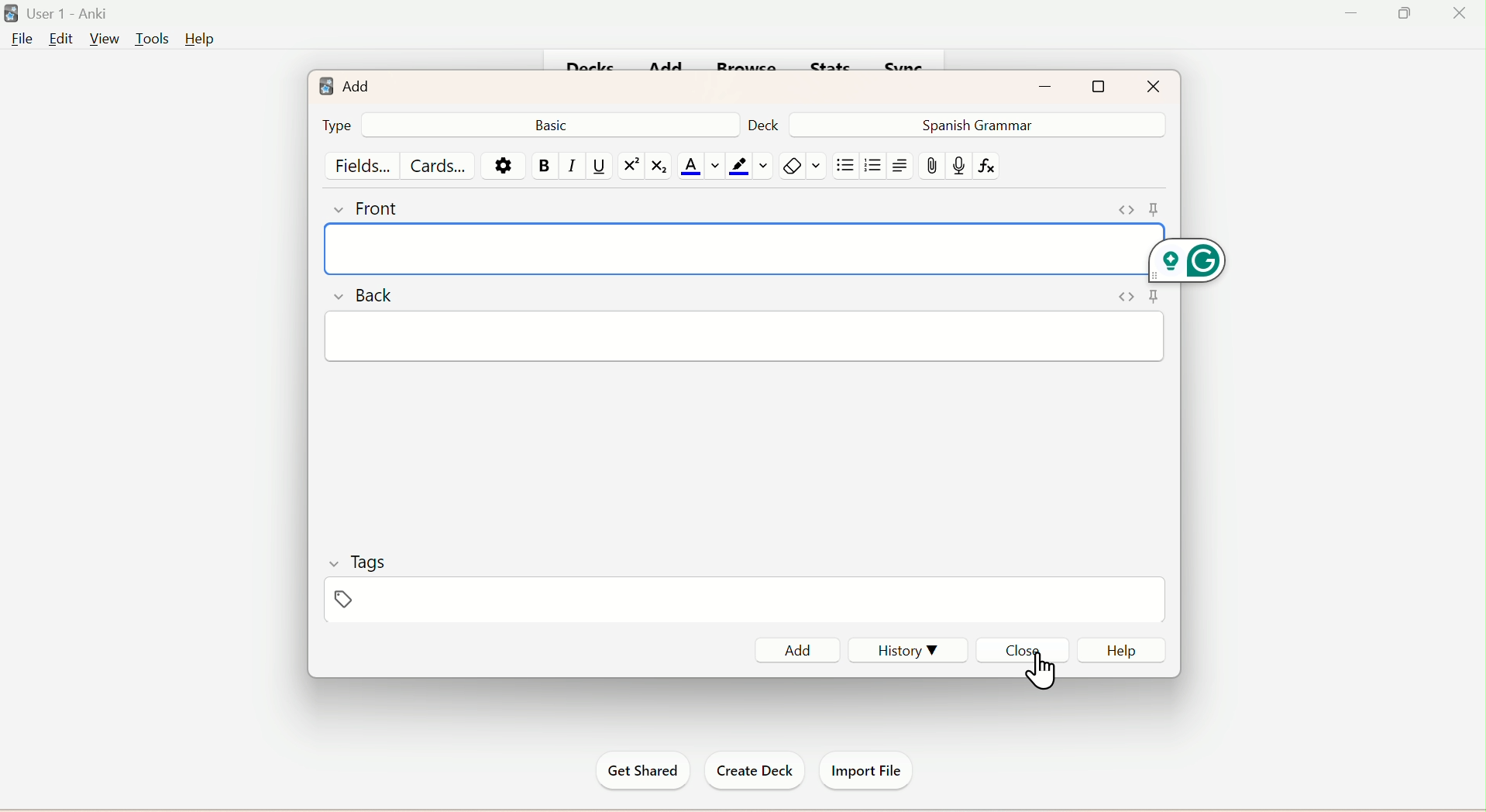 The height and width of the screenshot is (812, 1486). What do you see at coordinates (1192, 259) in the screenshot?
I see `Grammarly` at bounding box center [1192, 259].